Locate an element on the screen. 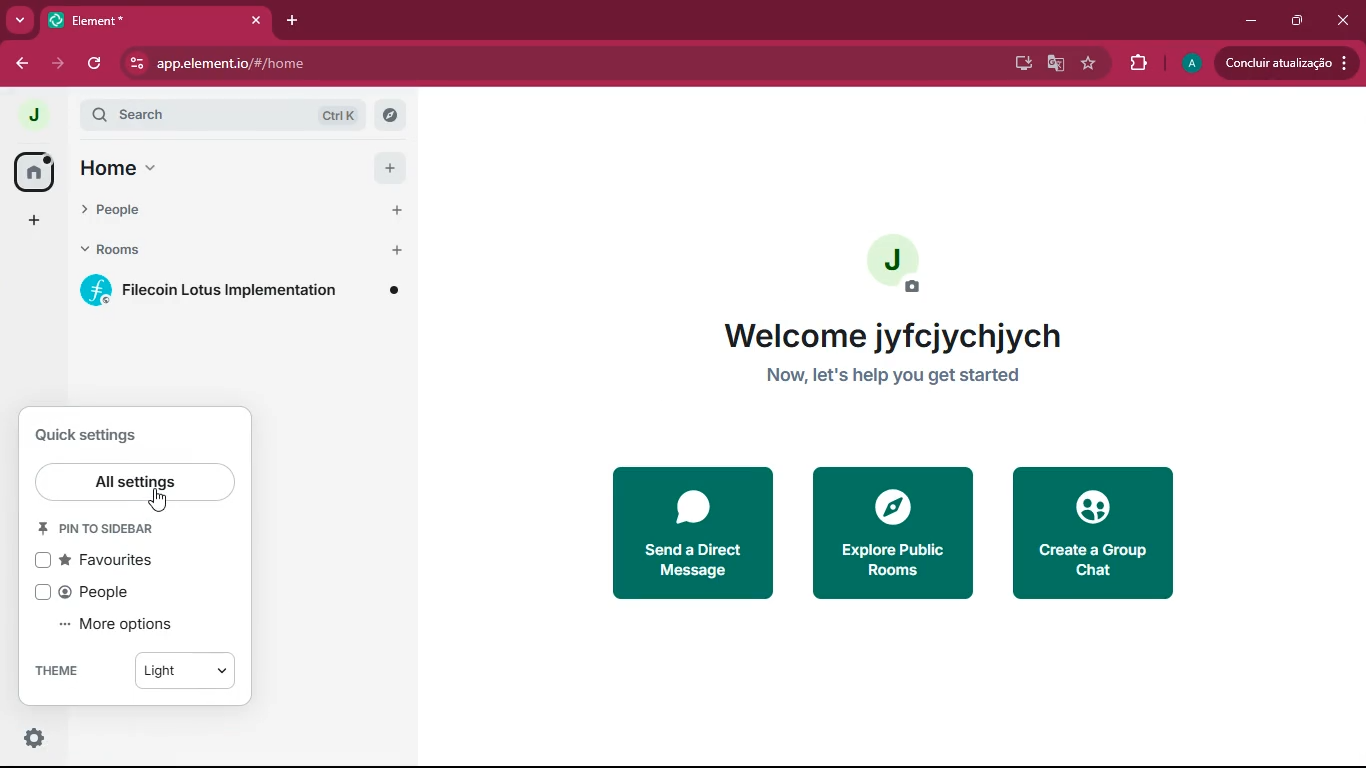 The width and height of the screenshot is (1366, 768). add button is located at coordinates (397, 251).